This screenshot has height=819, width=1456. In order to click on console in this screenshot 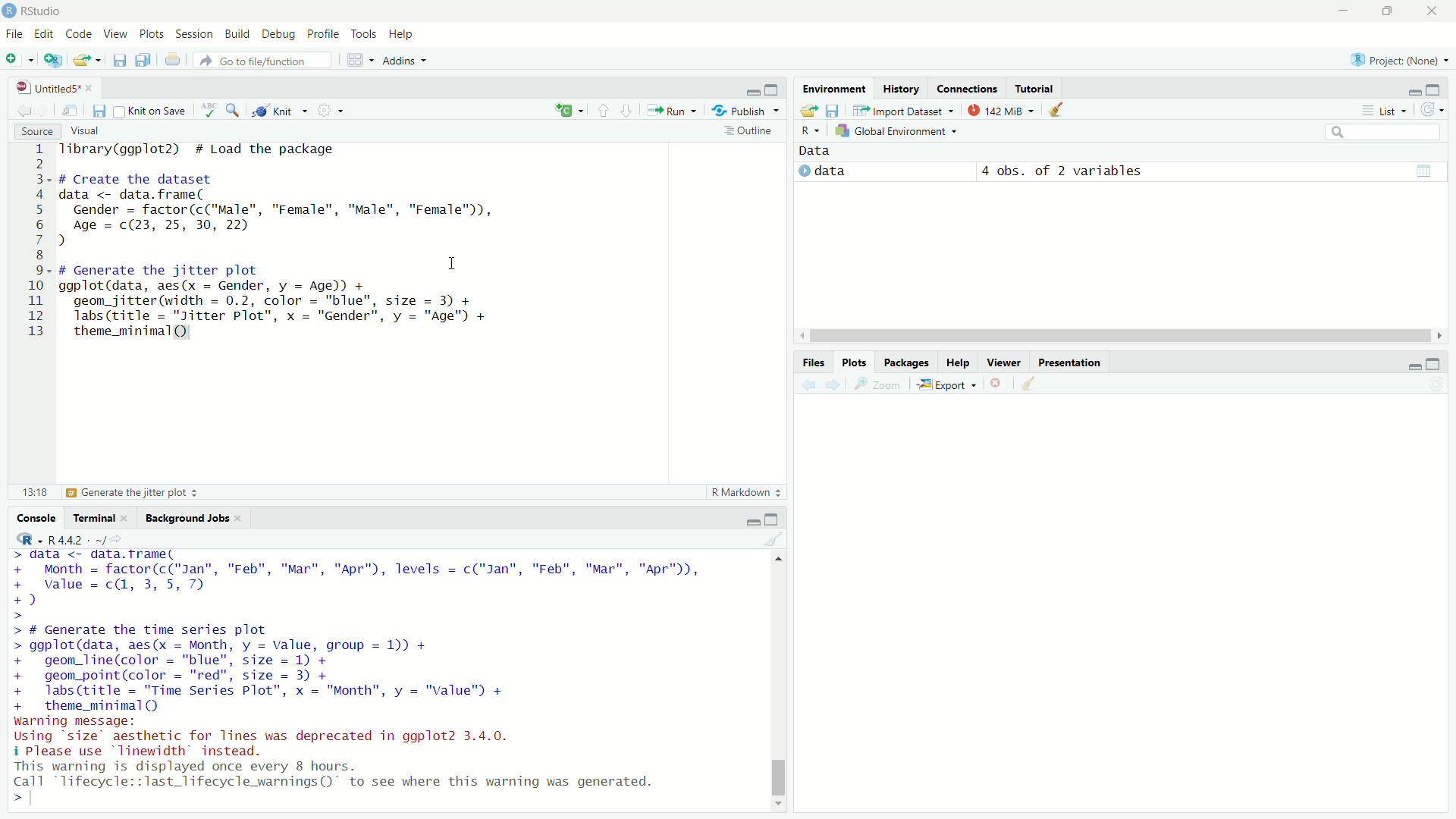, I will do `click(30, 518)`.